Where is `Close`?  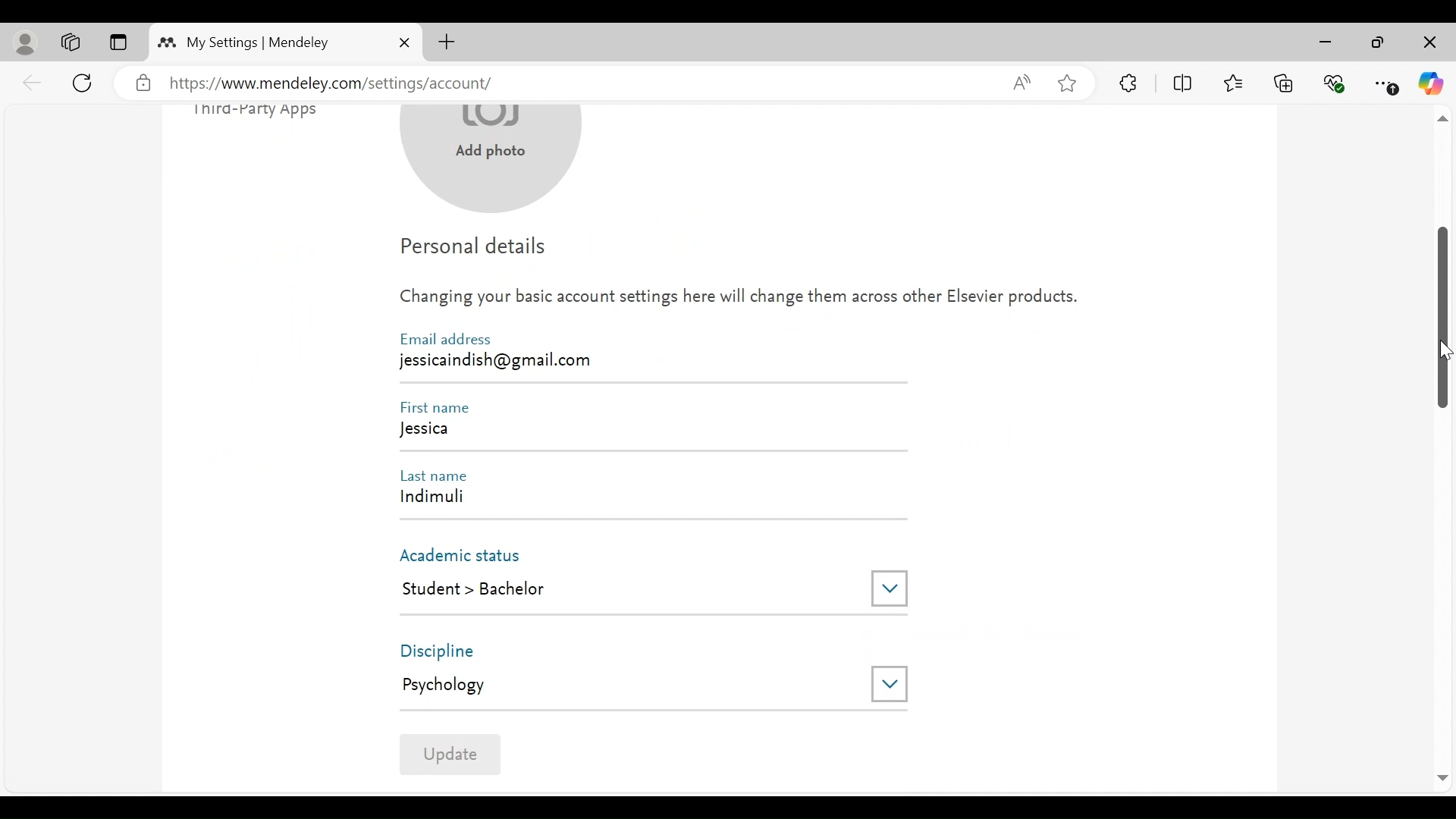
Close is located at coordinates (1428, 43).